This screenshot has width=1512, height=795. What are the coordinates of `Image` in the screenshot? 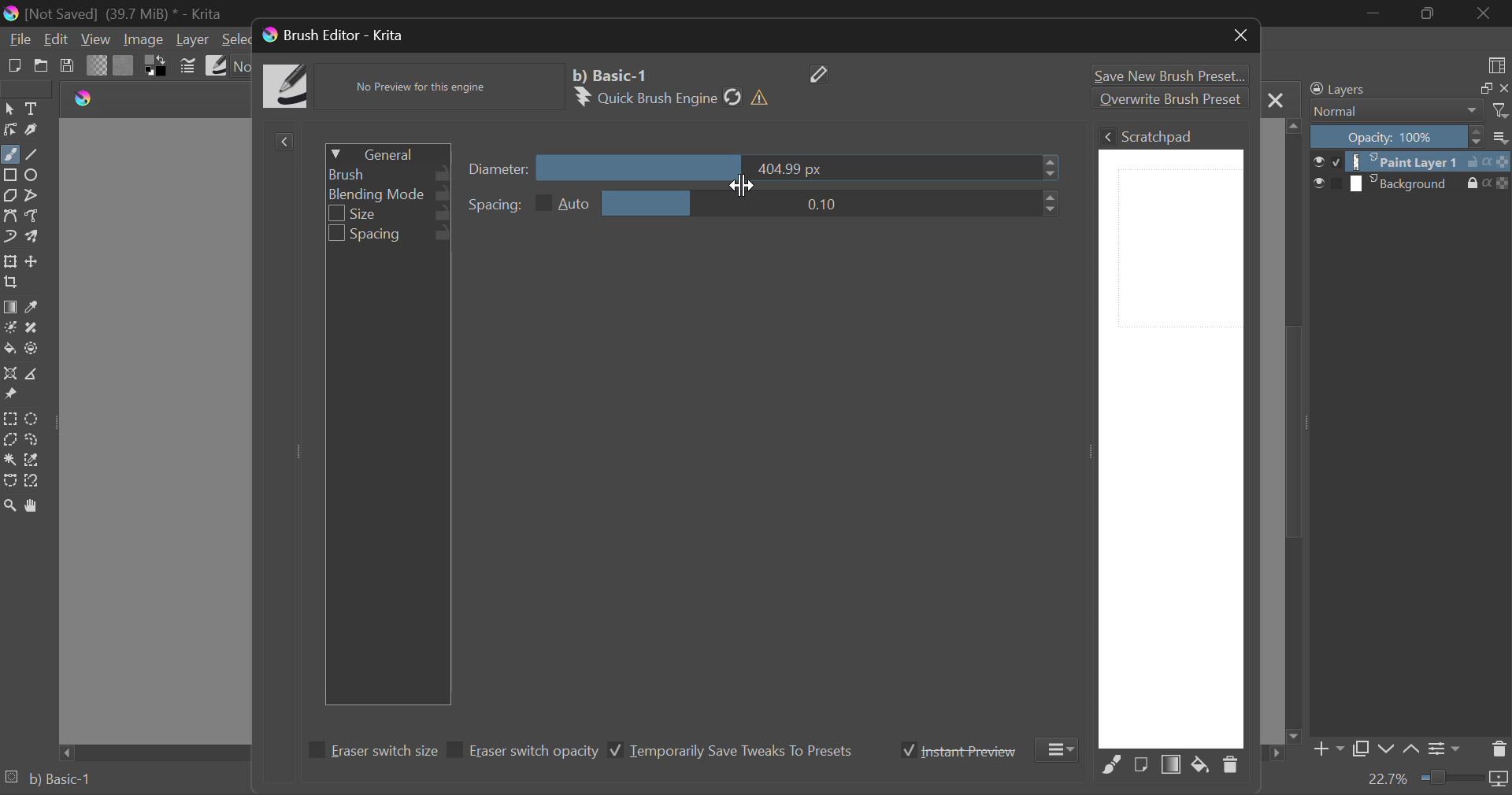 It's located at (145, 40).